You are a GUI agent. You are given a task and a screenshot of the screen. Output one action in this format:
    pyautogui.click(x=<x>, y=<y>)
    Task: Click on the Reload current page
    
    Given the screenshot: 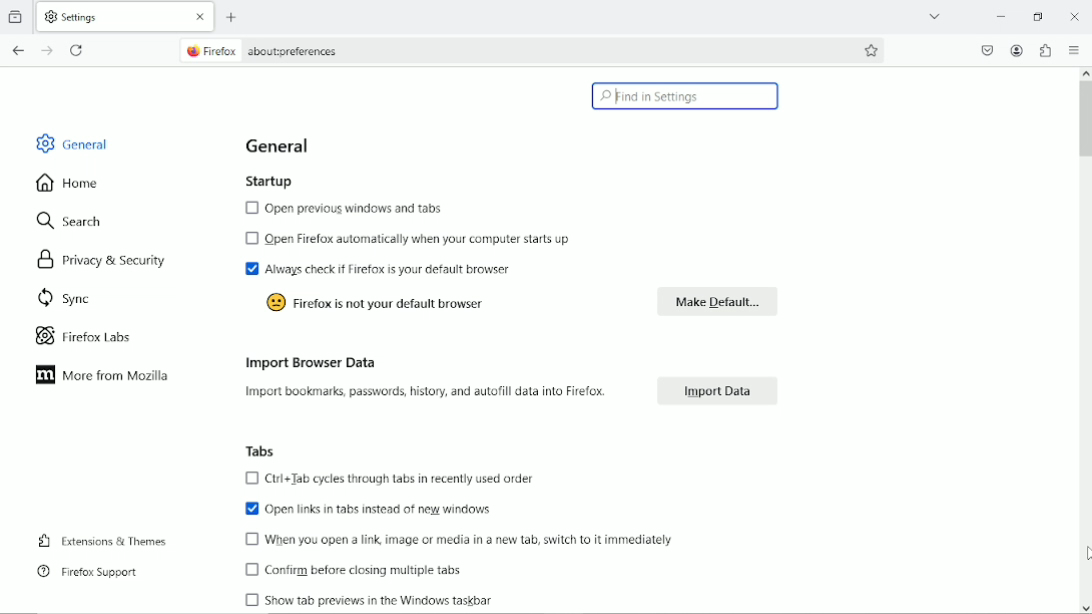 What is the action you would take?
    pyautogui.click(x=78, y=50)
    